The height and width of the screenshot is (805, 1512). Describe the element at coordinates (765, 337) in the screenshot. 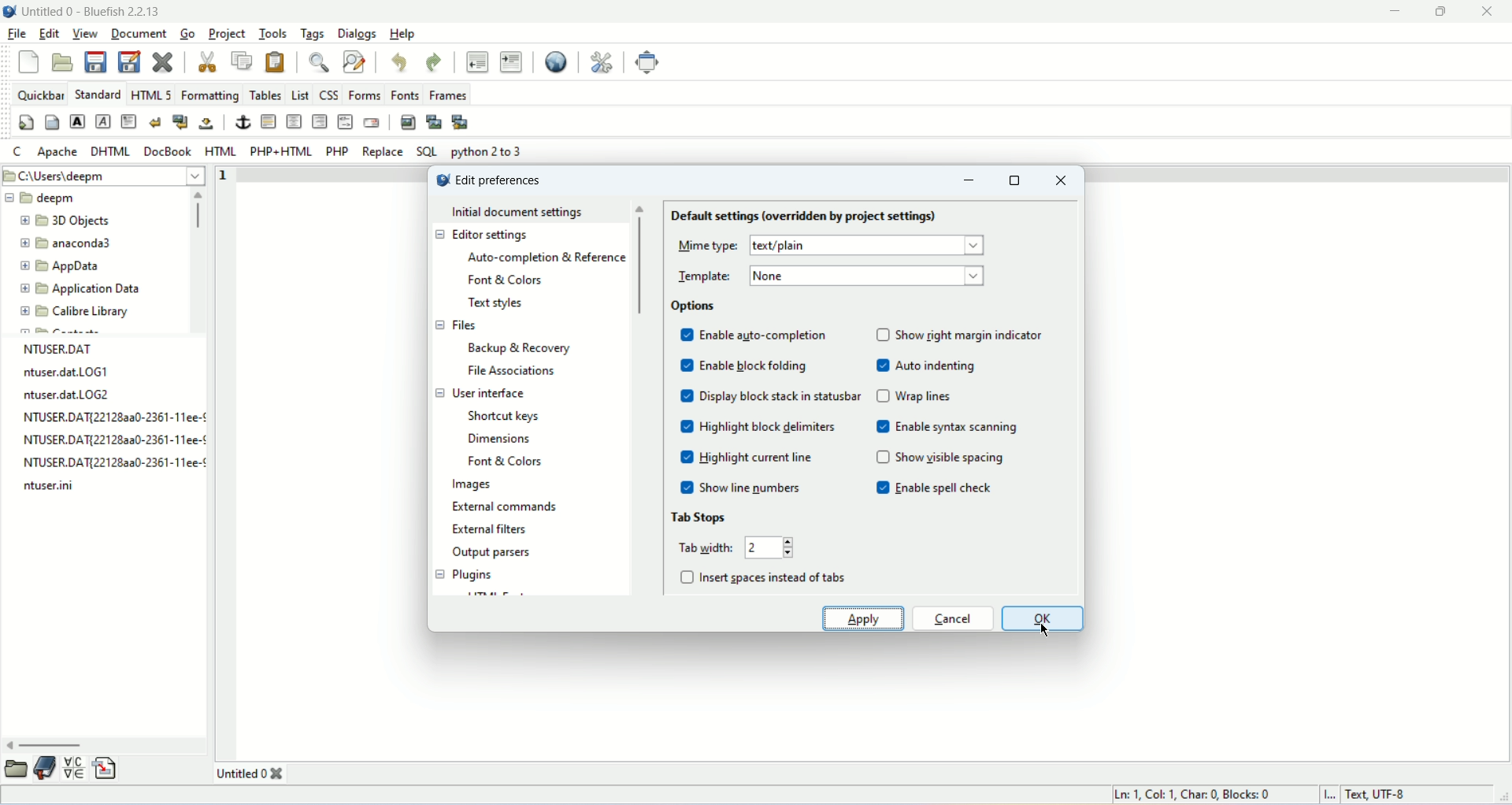

I see `enable auto-completion` at that location.